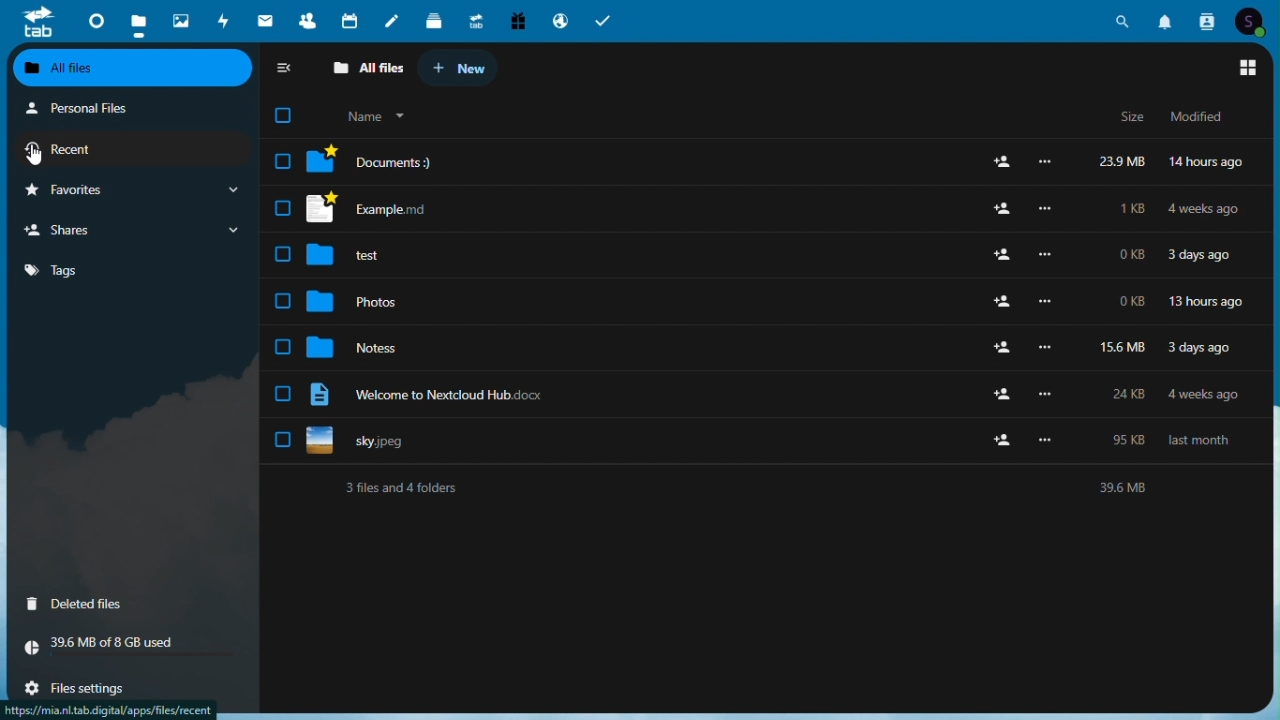 Image resolution: width=1280 pixels, height=720 pixels. I want to click on 24 KB, so click(1133, 391).